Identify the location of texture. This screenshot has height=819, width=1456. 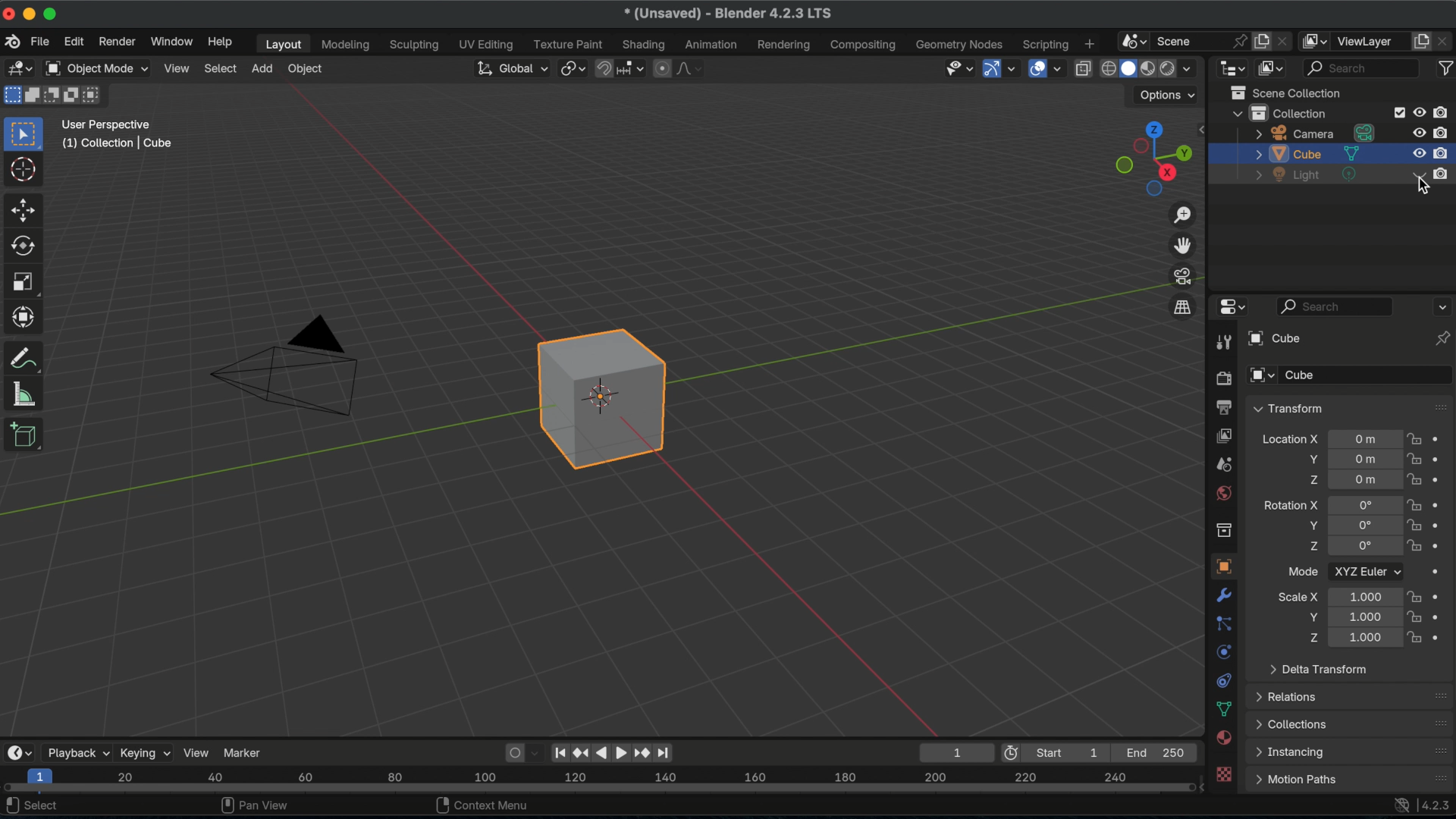
(1224, 774).